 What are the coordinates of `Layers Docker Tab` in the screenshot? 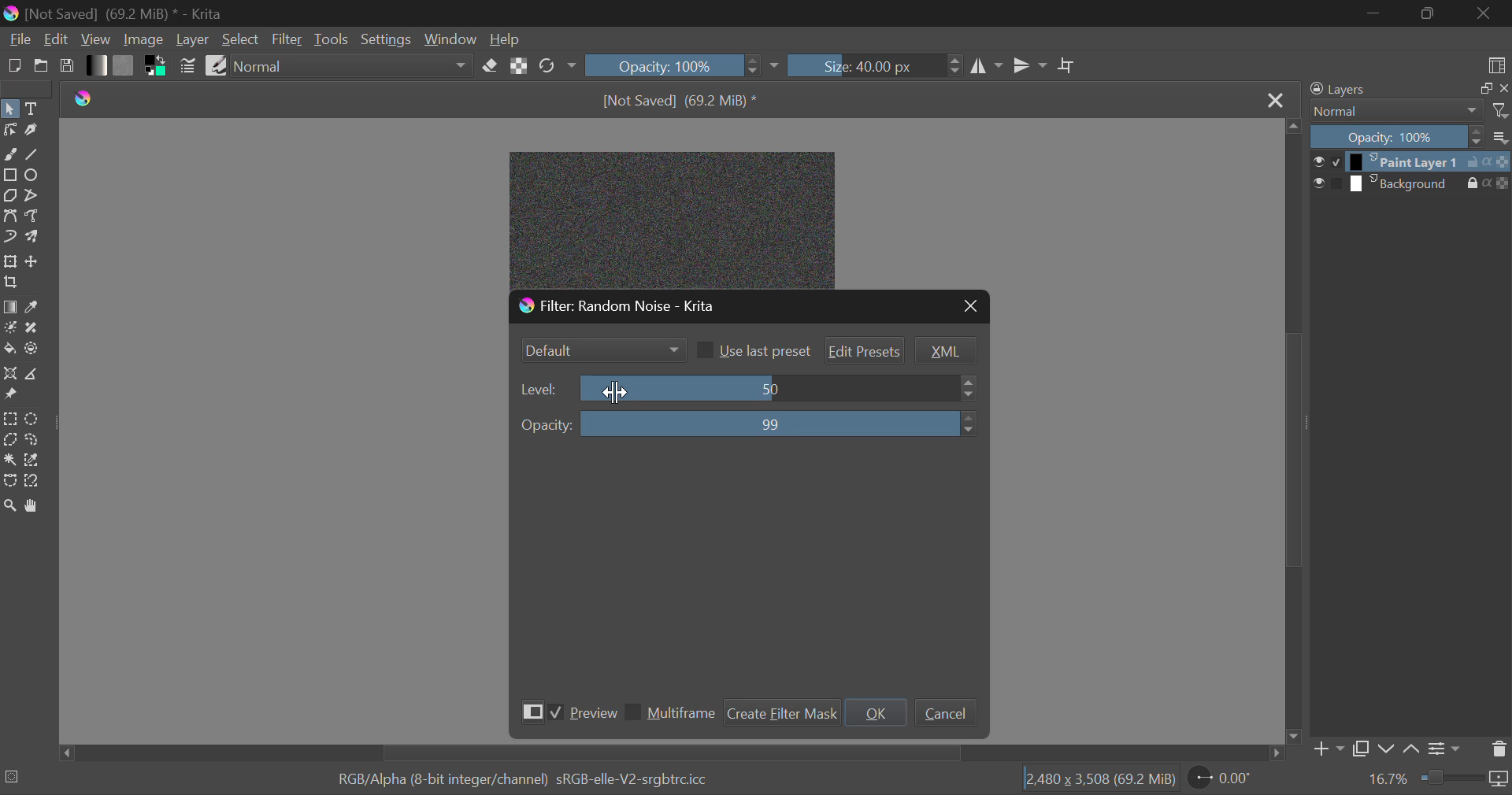 It's located at (1380, 90).